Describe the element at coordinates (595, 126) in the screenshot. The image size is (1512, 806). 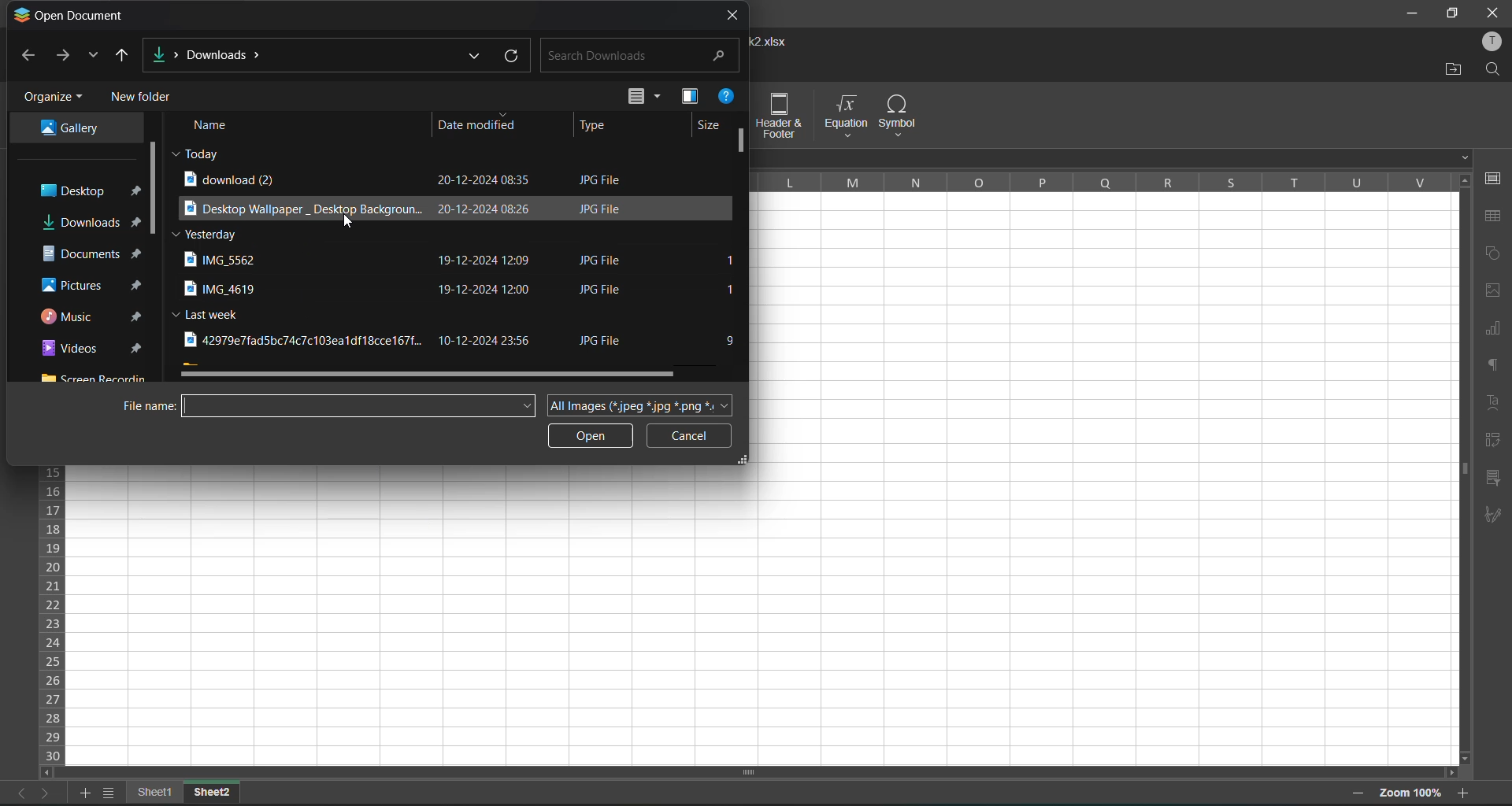
I see `type` at that location.